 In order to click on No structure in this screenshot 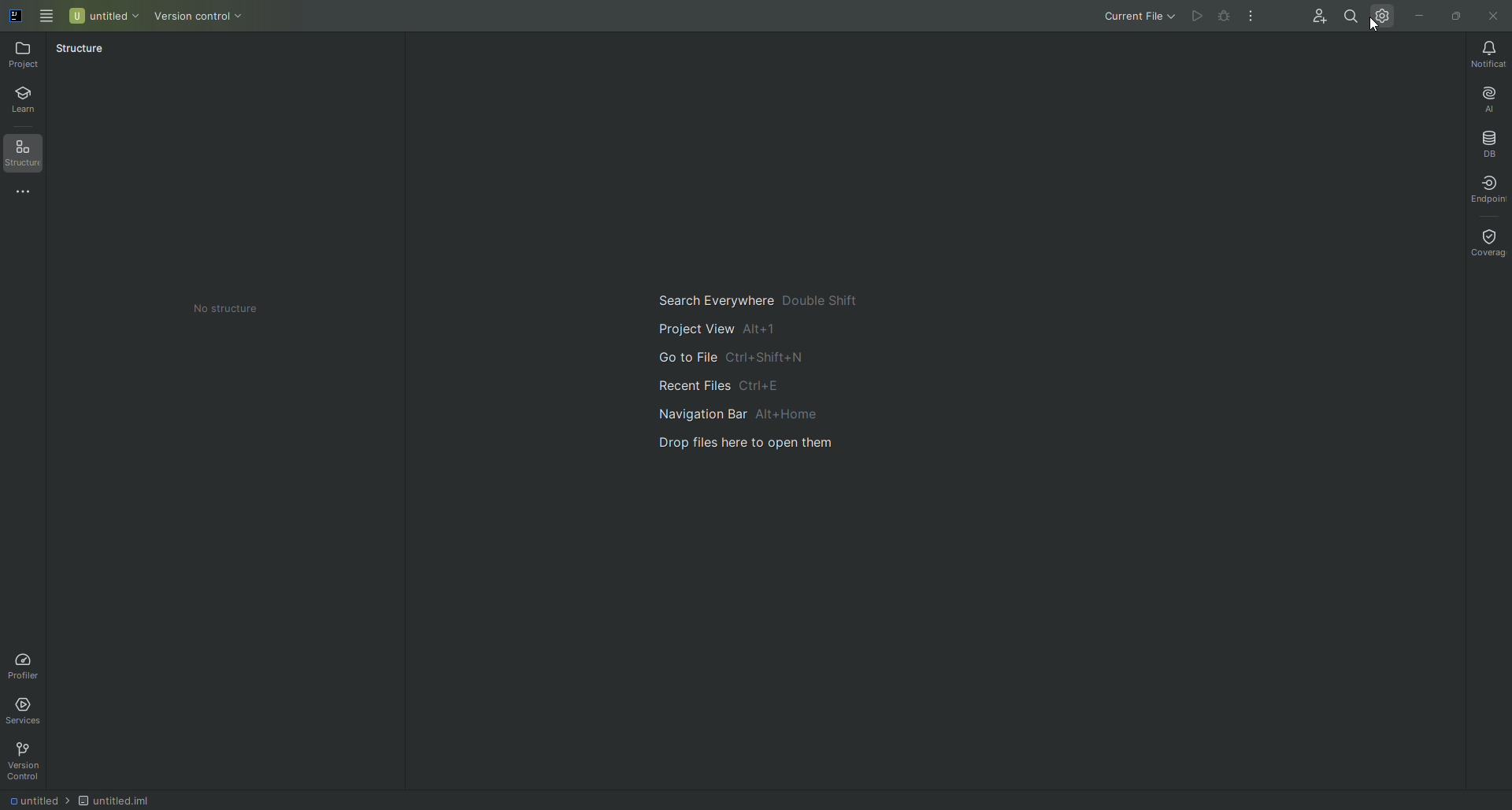, I will do `click(227, 310)`.